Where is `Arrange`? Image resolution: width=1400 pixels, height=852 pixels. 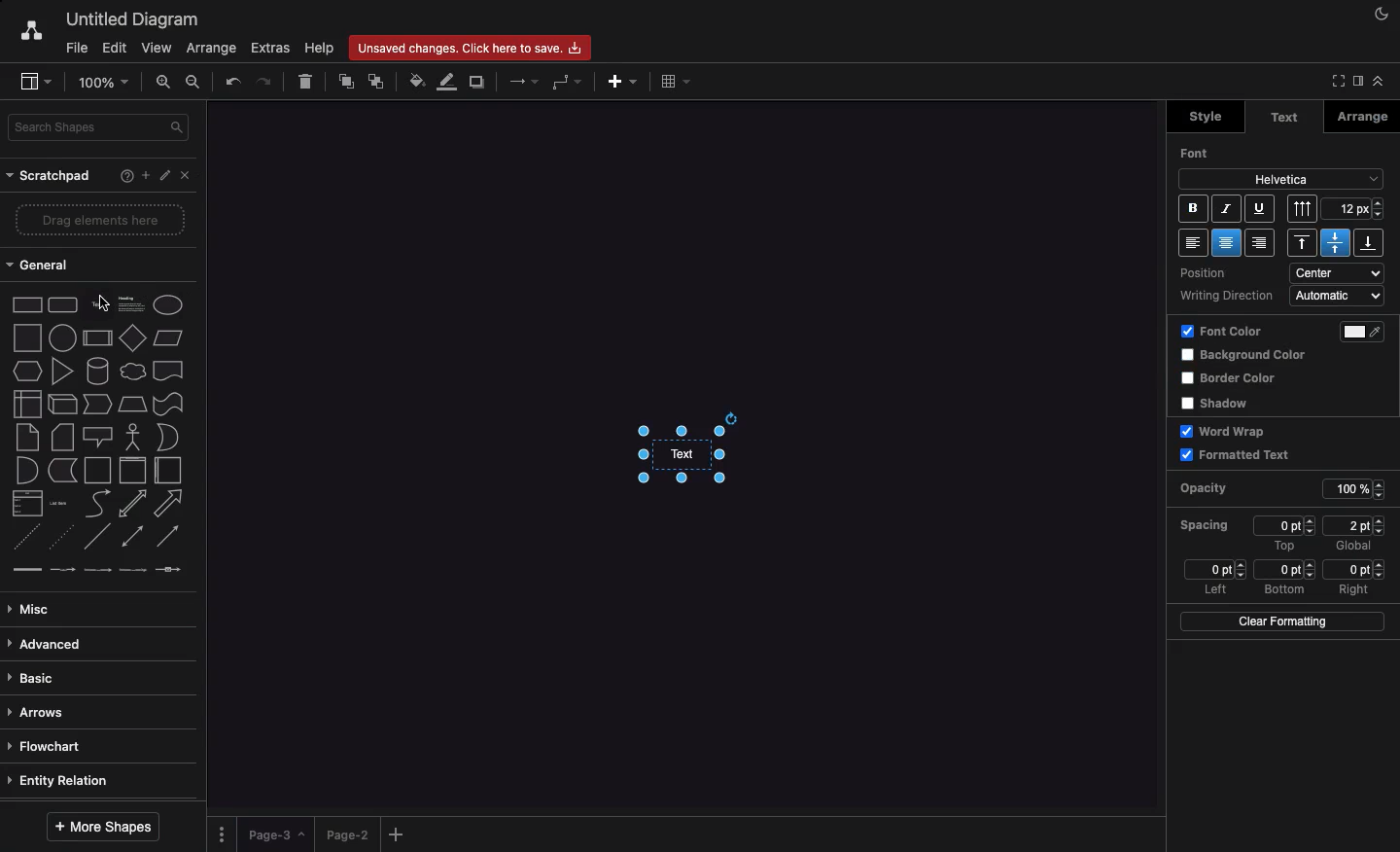
Arrange is located at coordinates (208, 49).